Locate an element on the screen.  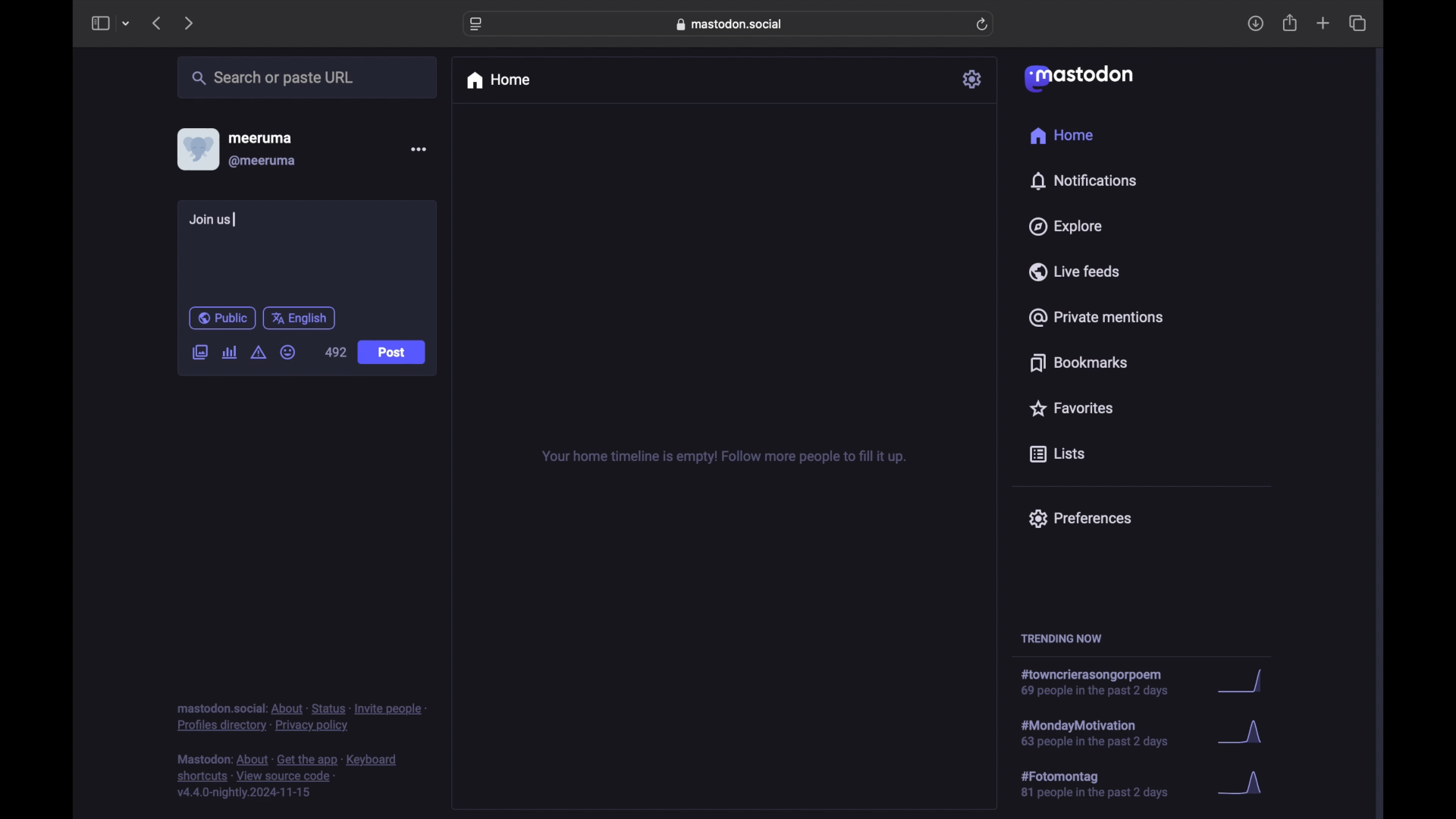
graph is located at coordinates (1253, 789).